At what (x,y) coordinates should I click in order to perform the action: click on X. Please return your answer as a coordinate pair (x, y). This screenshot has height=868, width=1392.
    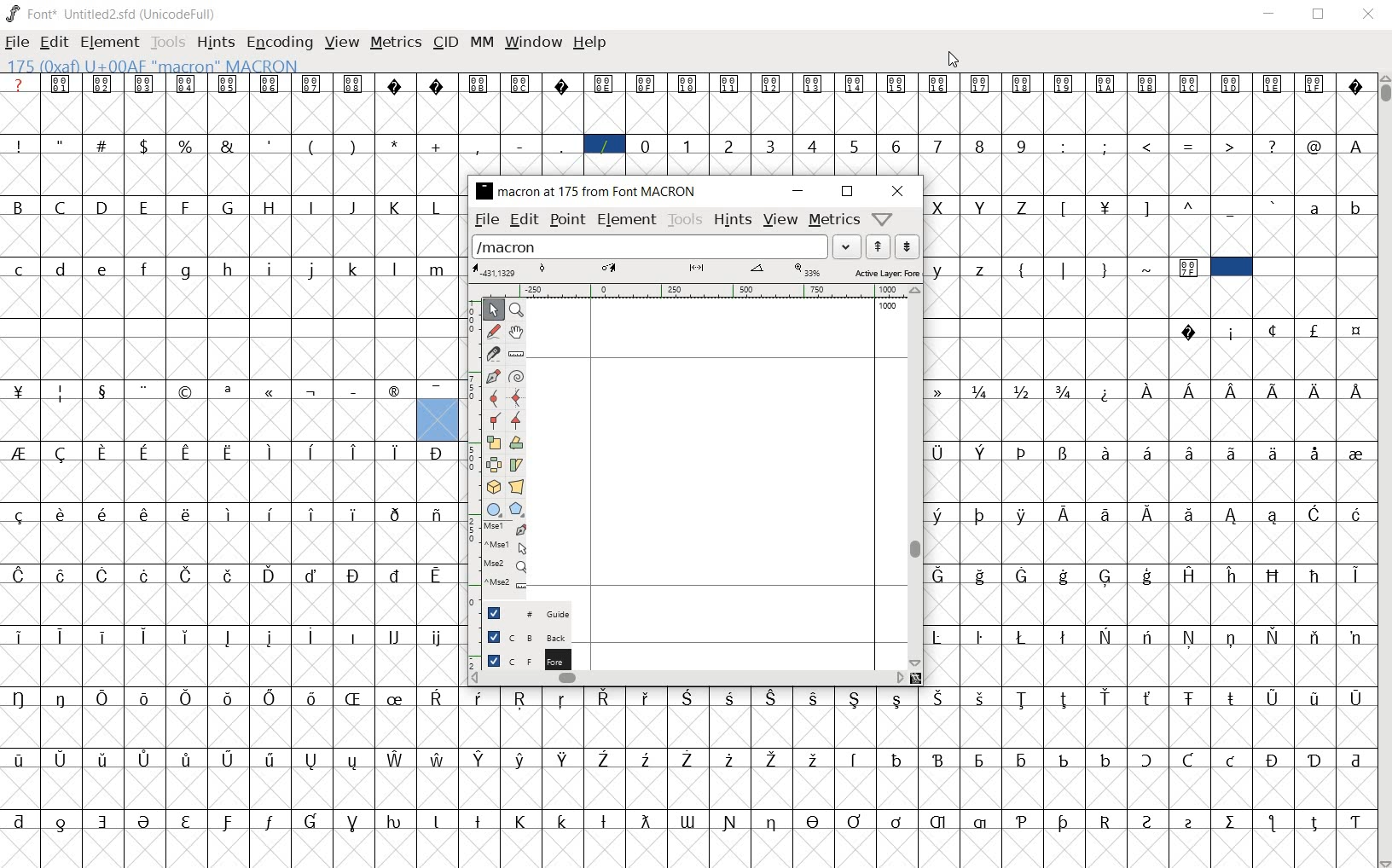
    Looking at the image, I should click on (940, 207).